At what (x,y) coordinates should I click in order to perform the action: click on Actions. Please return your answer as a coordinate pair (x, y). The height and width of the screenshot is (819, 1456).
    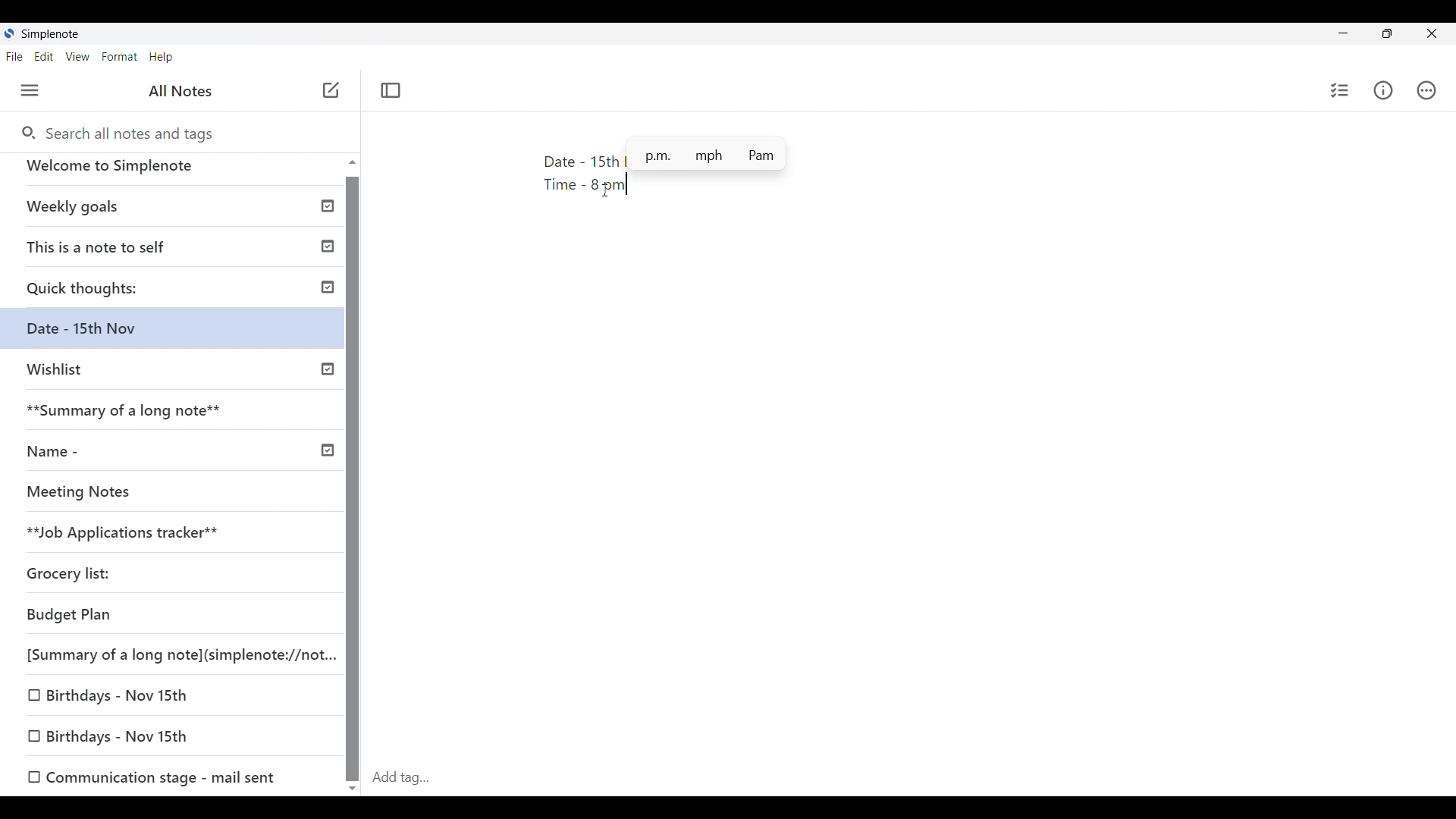
    Looking at the image, I should click on (1426, 90).